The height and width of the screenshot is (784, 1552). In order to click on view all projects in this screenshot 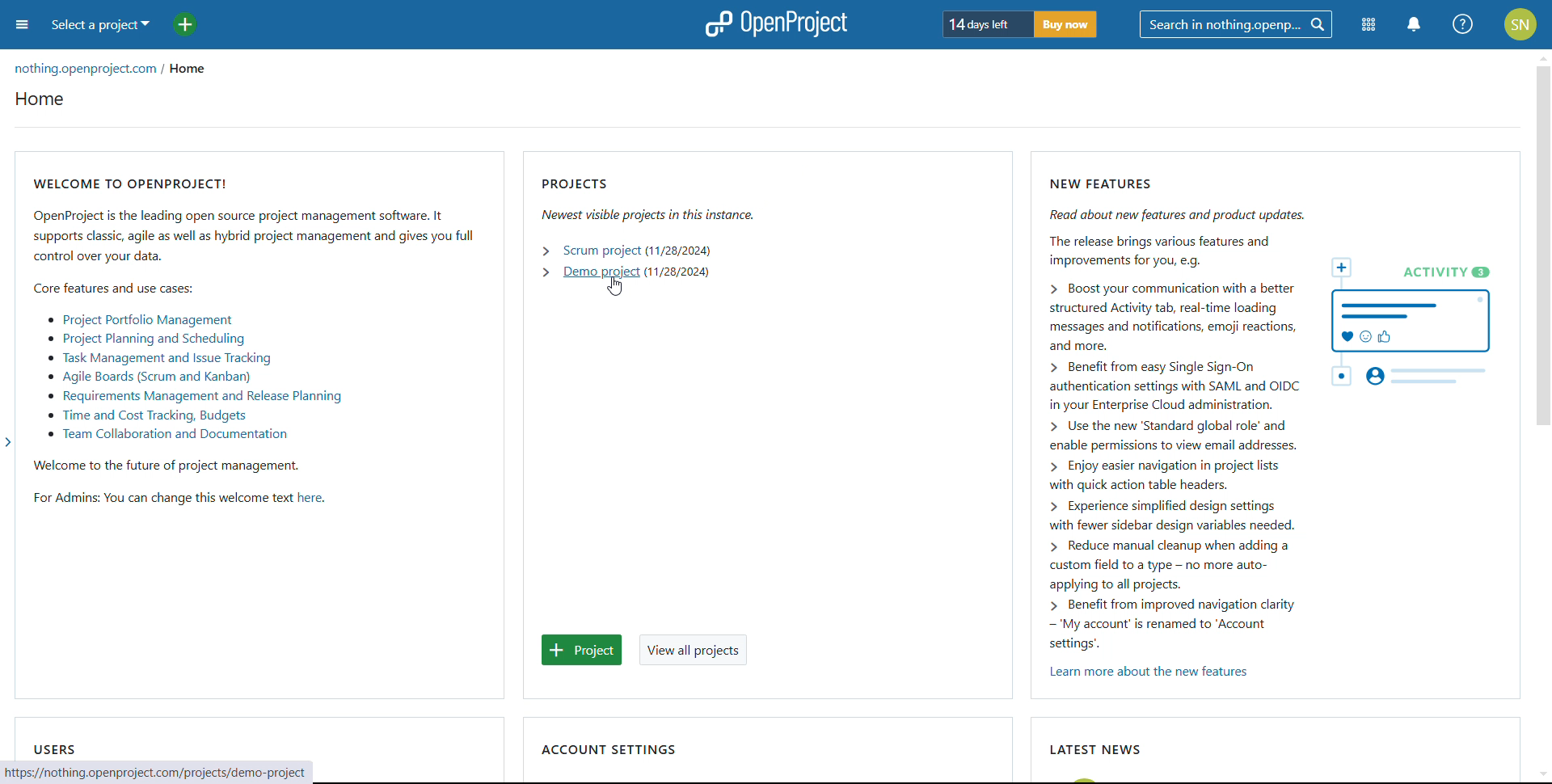, I will do `click(692, 650)`.